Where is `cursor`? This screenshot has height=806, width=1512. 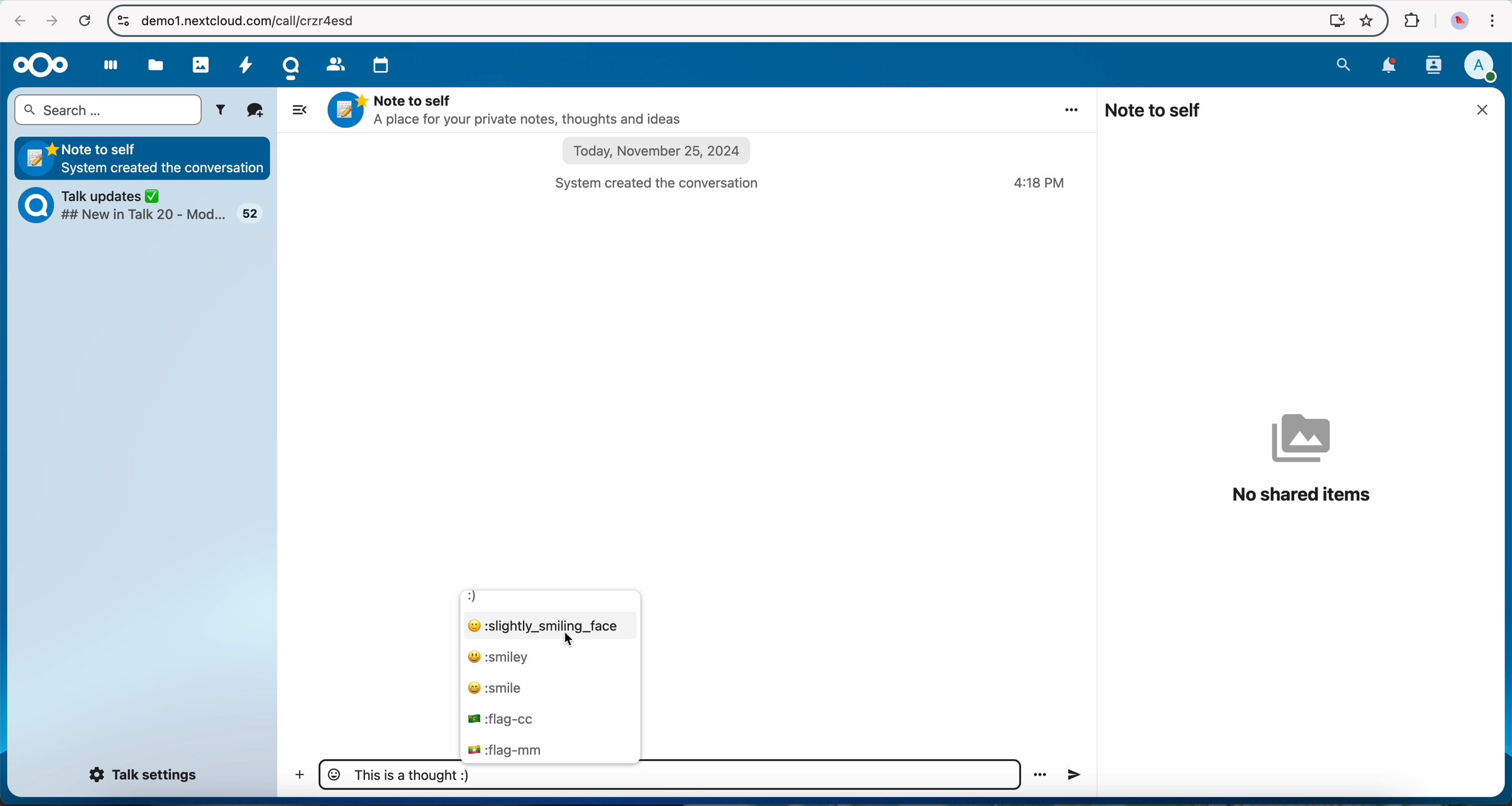
cursor is located at coordinates (572, 644).